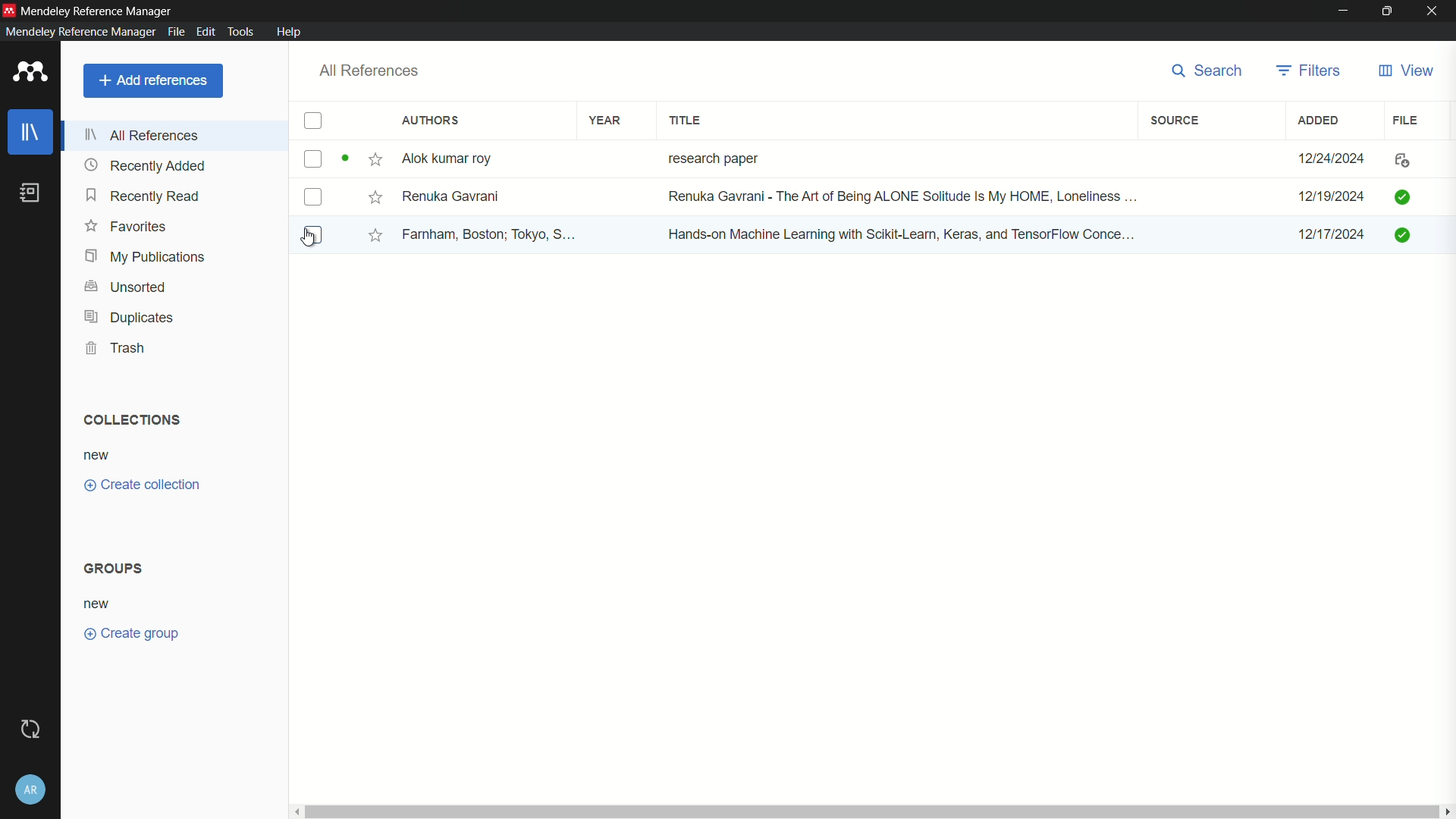  What do you see at coordinates (1209, 71) in the screenshot?
I see `search` at bounding box center [1209, 71].